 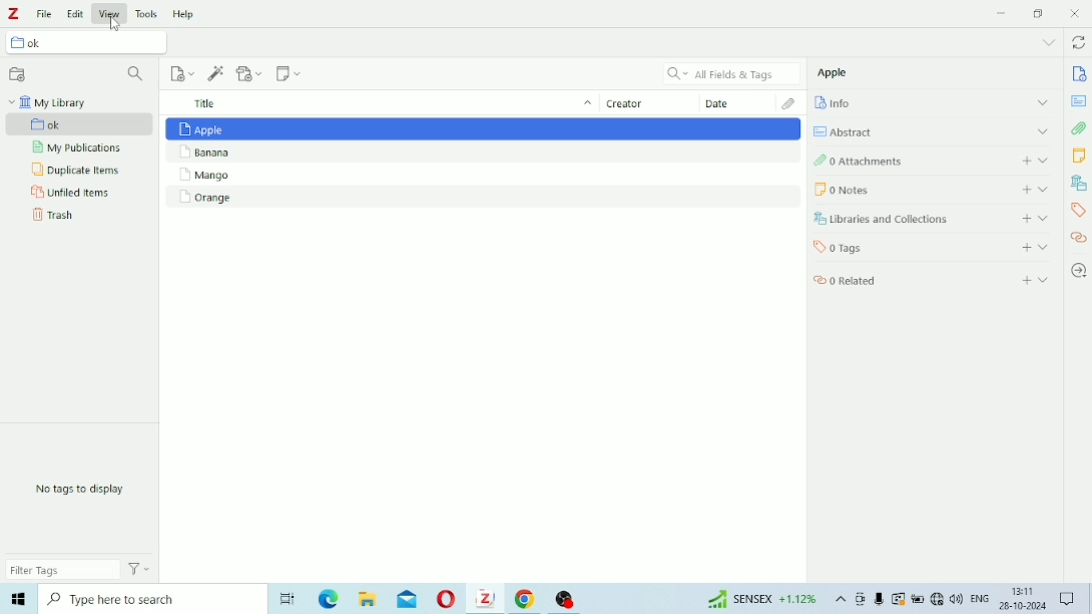 What do you see at coordinates (482, 128) in the screenshot?
I see `Apple` at bounding box center [482, 128].